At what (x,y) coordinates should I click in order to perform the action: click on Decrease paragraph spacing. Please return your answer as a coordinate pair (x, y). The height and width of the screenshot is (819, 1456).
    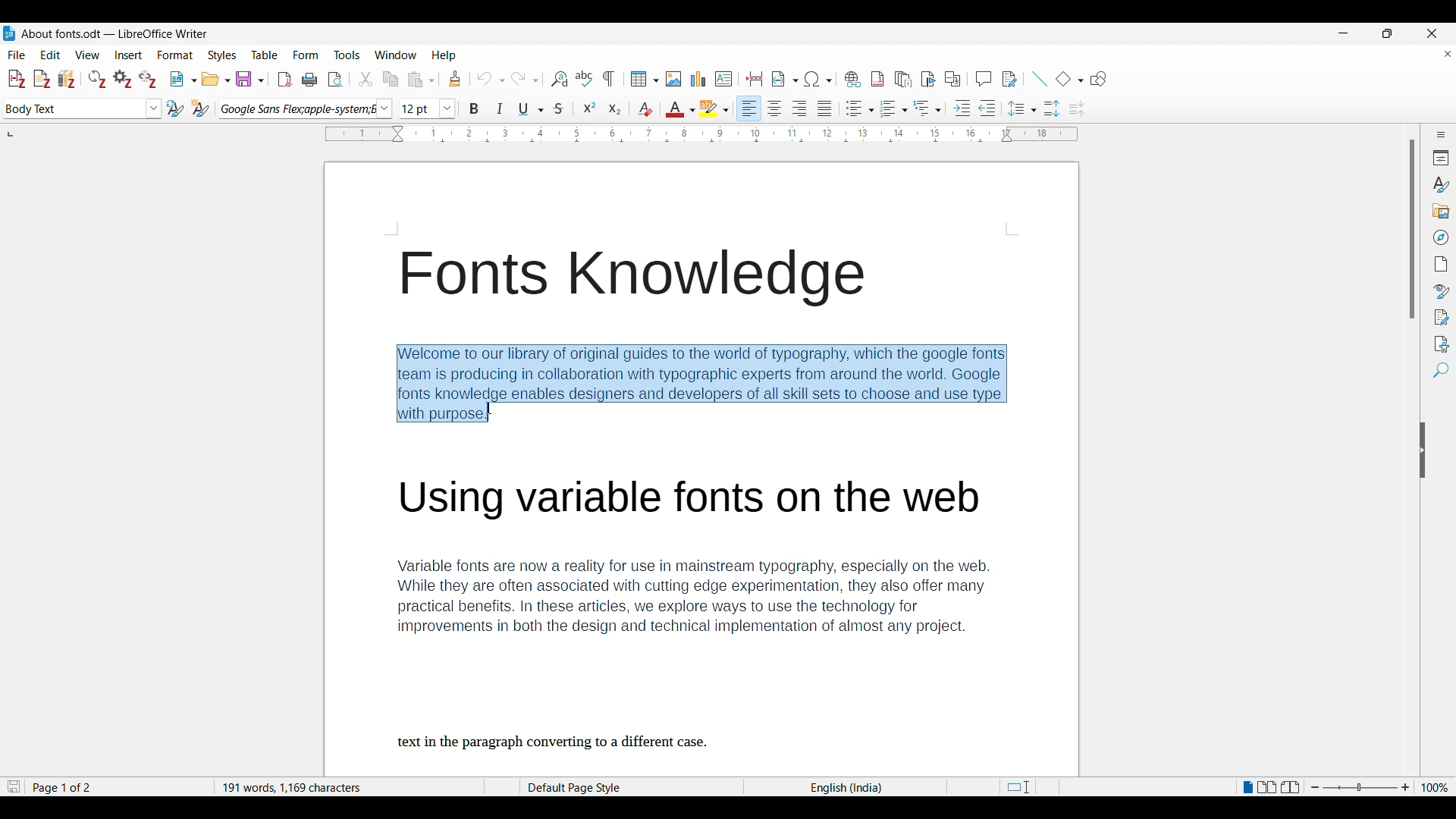
    Looking at the image, I should click on (1077, 109).